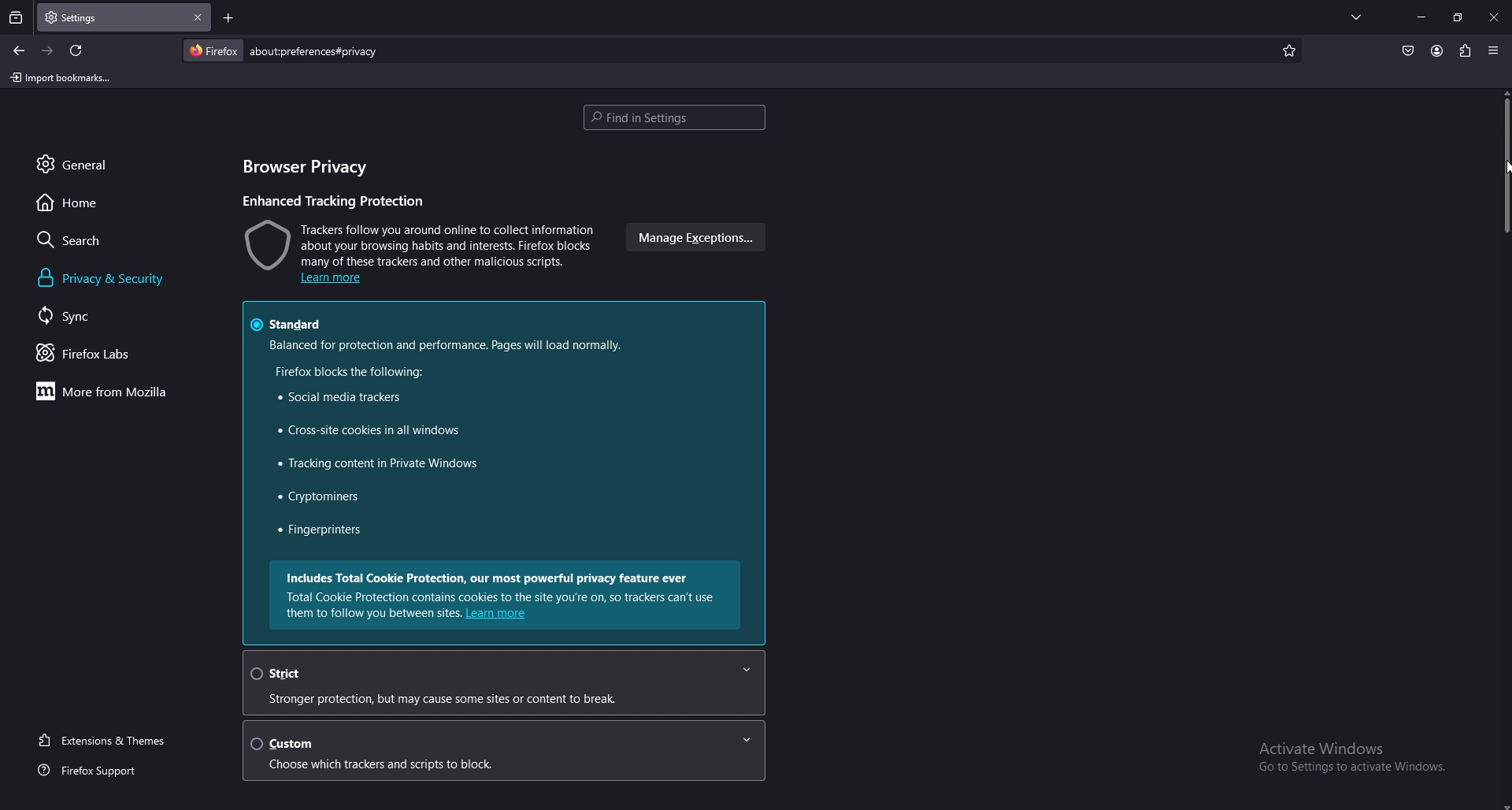 The image size is (1512, 810). What do you see at coordinates (1494, 19) in the screenshot?
I see `close` at bounding box center [1494, 19].